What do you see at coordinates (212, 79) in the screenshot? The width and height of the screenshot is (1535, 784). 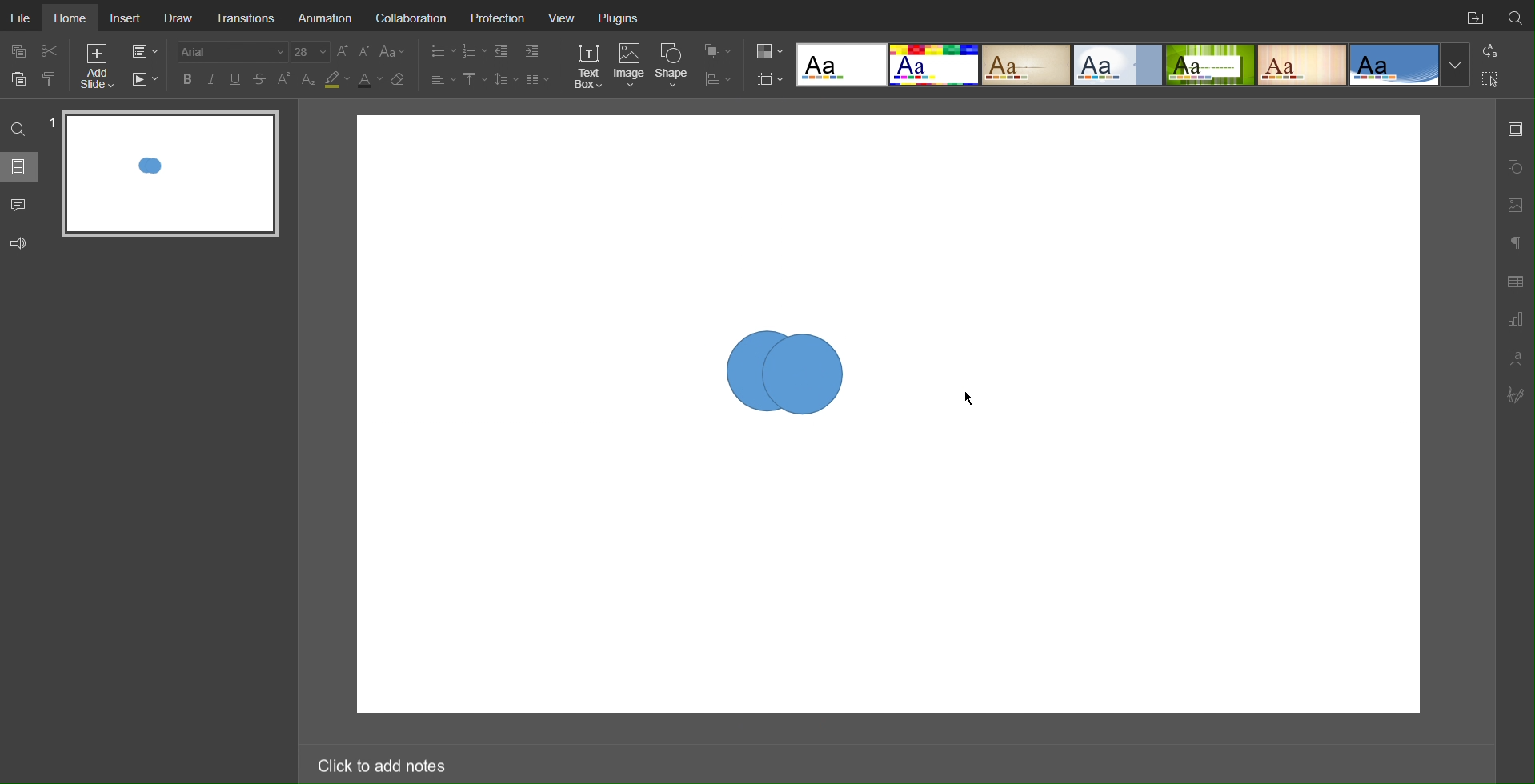 I see `Italics` at bounding box center [212, 79].